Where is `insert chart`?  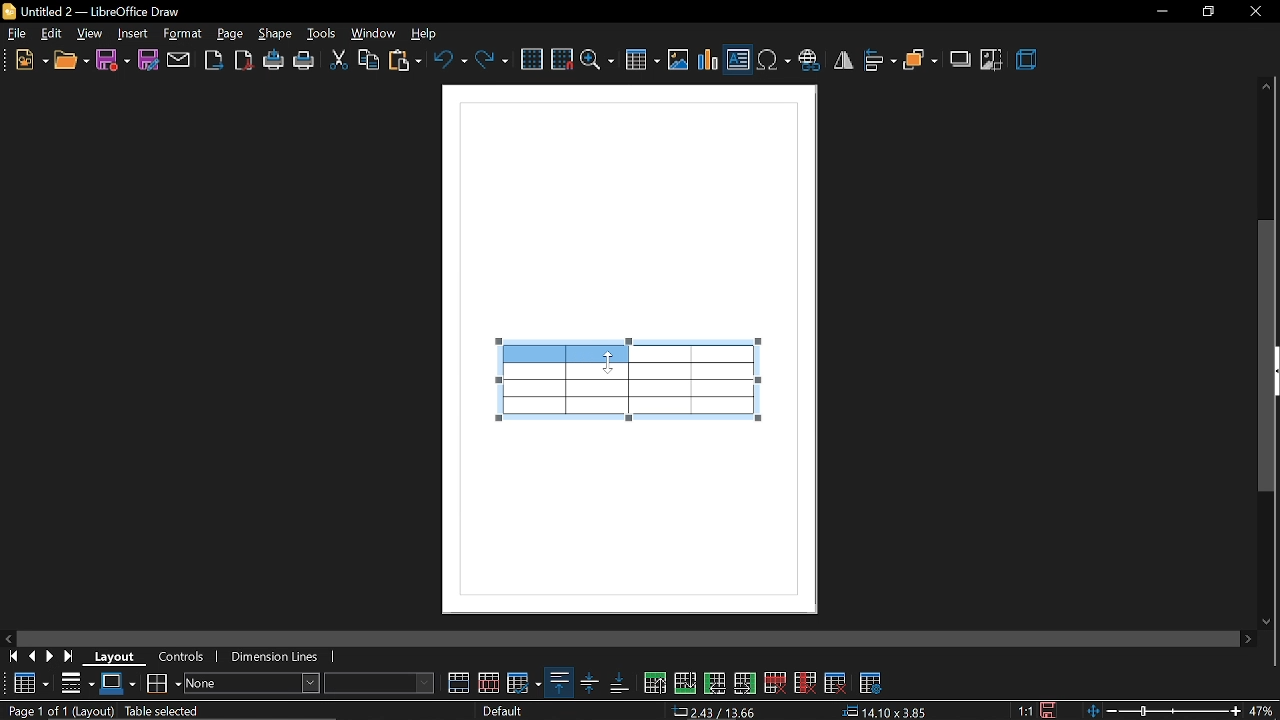 insert chart is located at coordinates (708, 58).